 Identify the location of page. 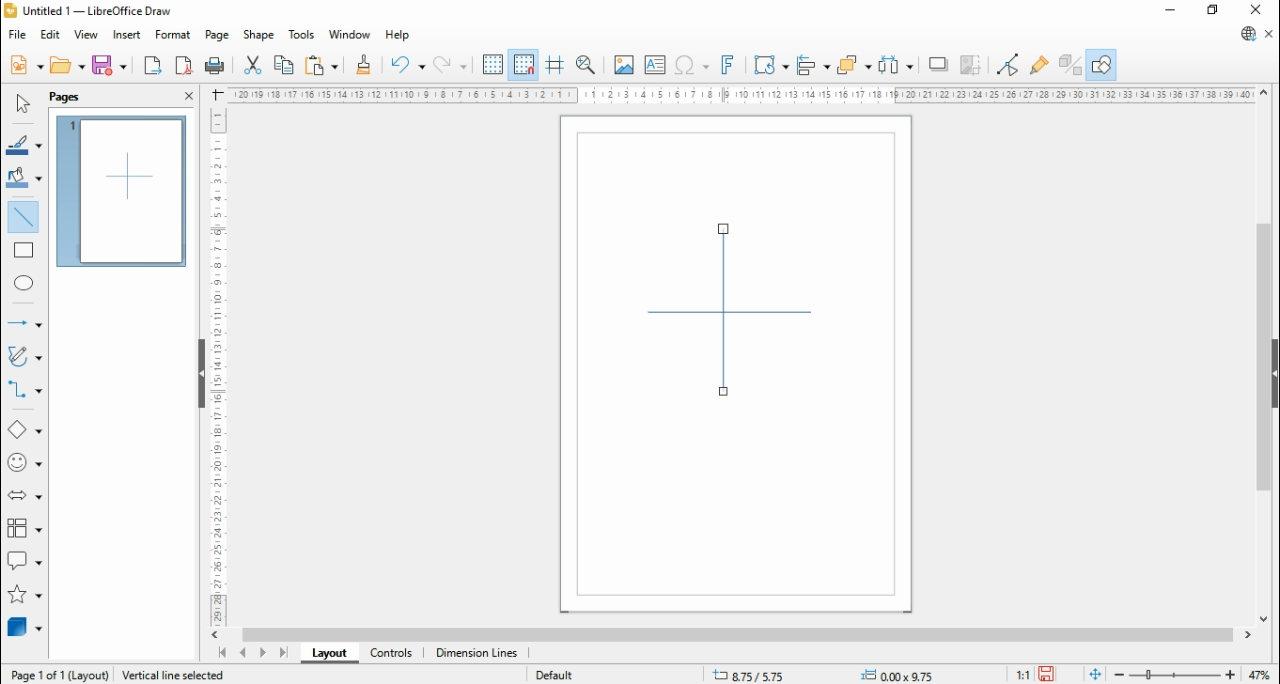
(65, 98).